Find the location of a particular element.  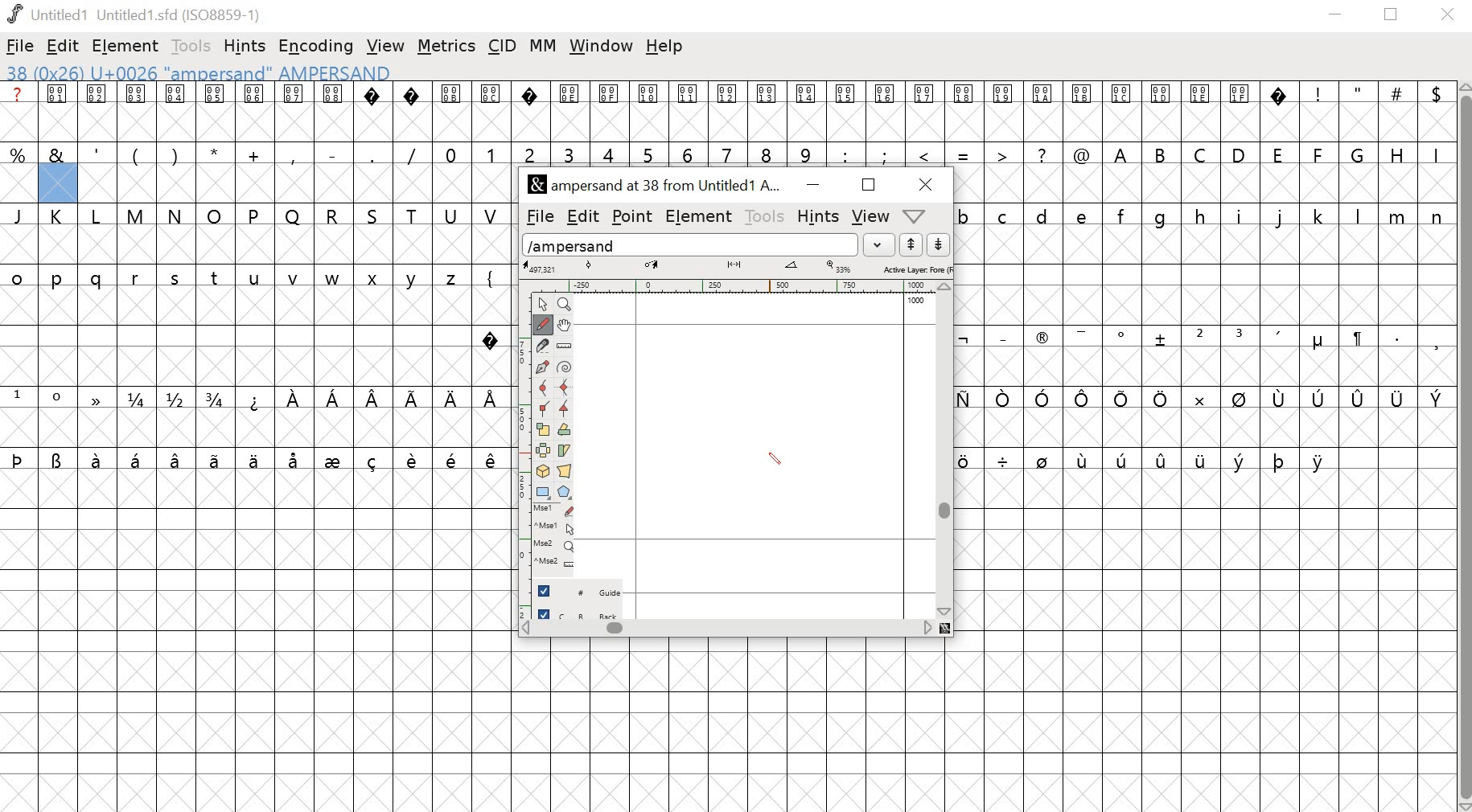

L is located at coordinates (99, 216).